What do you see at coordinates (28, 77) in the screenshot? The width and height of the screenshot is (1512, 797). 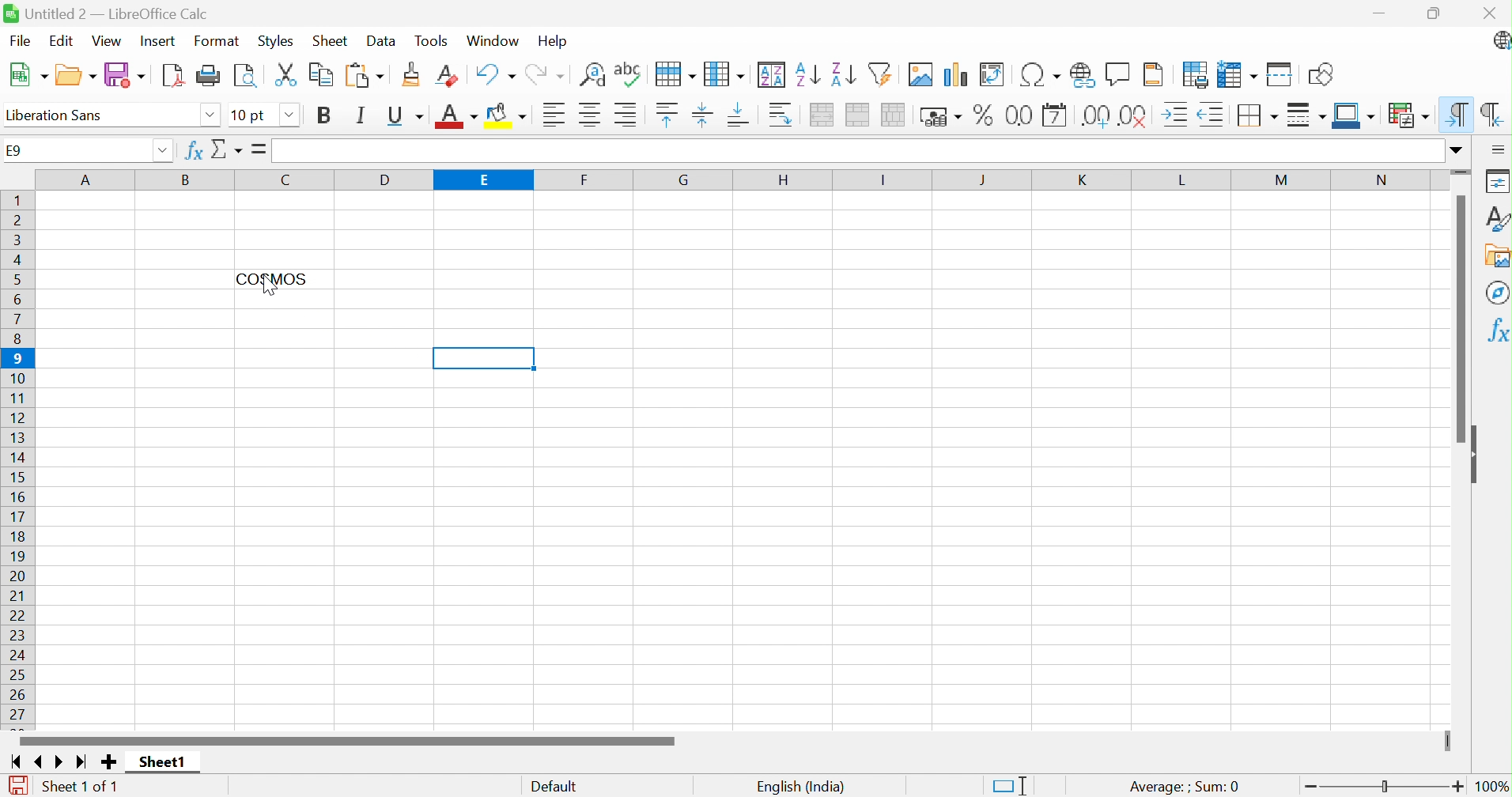 I see `New` at bounding box center [28, 77].